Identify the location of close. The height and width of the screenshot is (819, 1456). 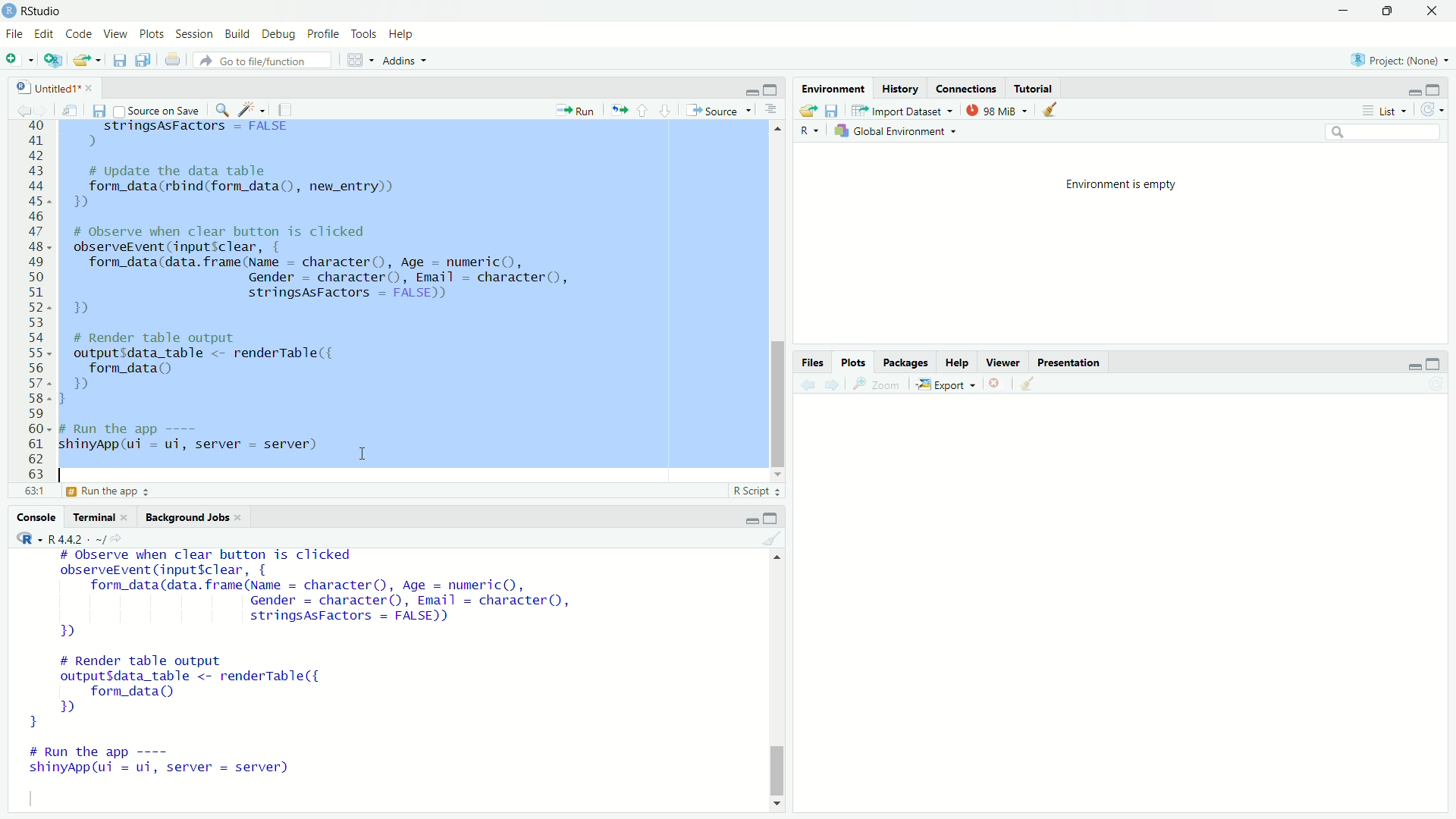
(129, 517).